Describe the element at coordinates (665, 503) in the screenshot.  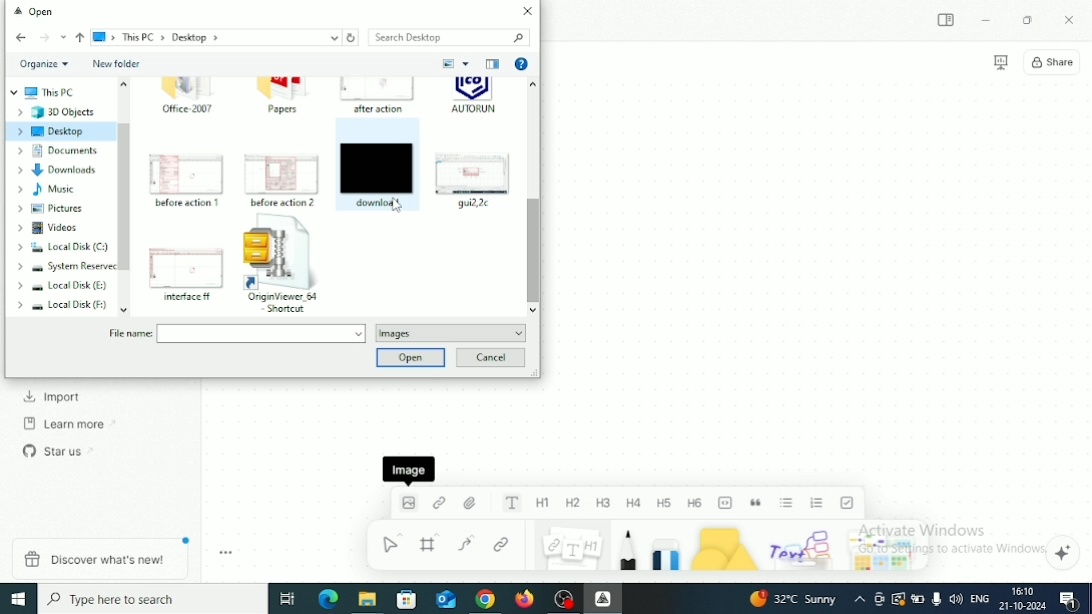
I see `Heading 5` at that location.